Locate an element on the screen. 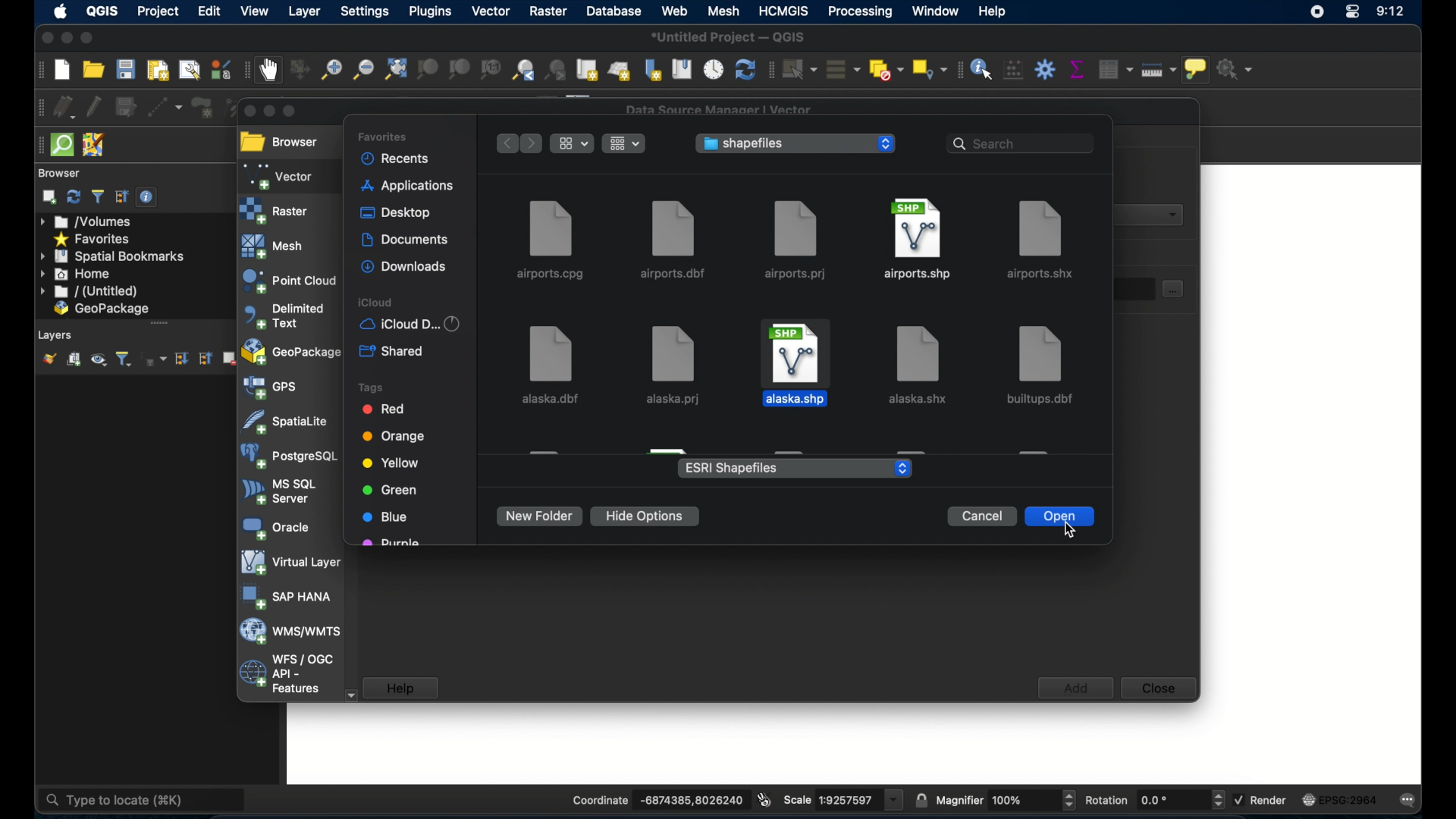  plugins is located at coordinates (430, 11).